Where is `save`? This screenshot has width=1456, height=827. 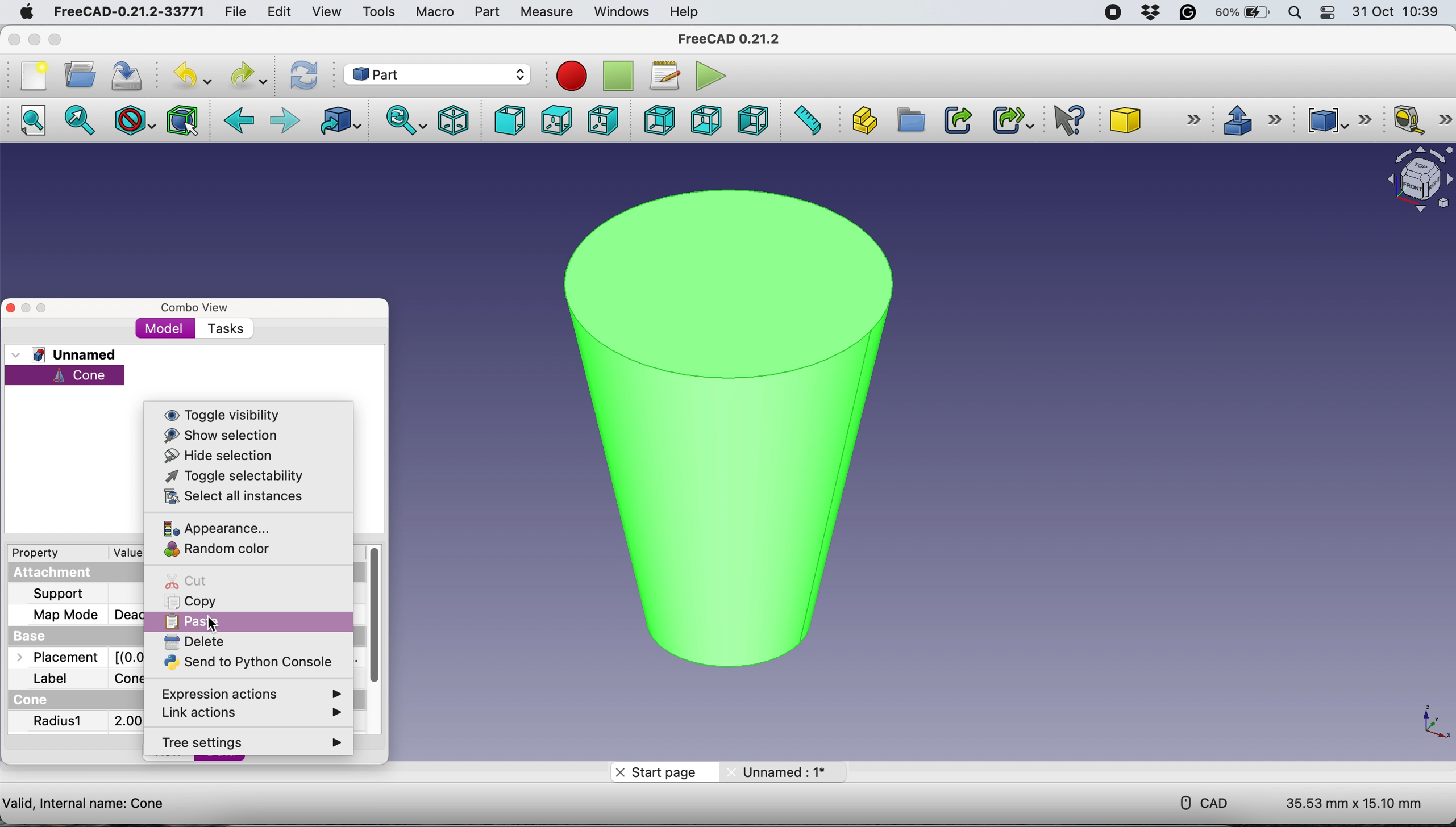
save is located at coordinates (127, 75).